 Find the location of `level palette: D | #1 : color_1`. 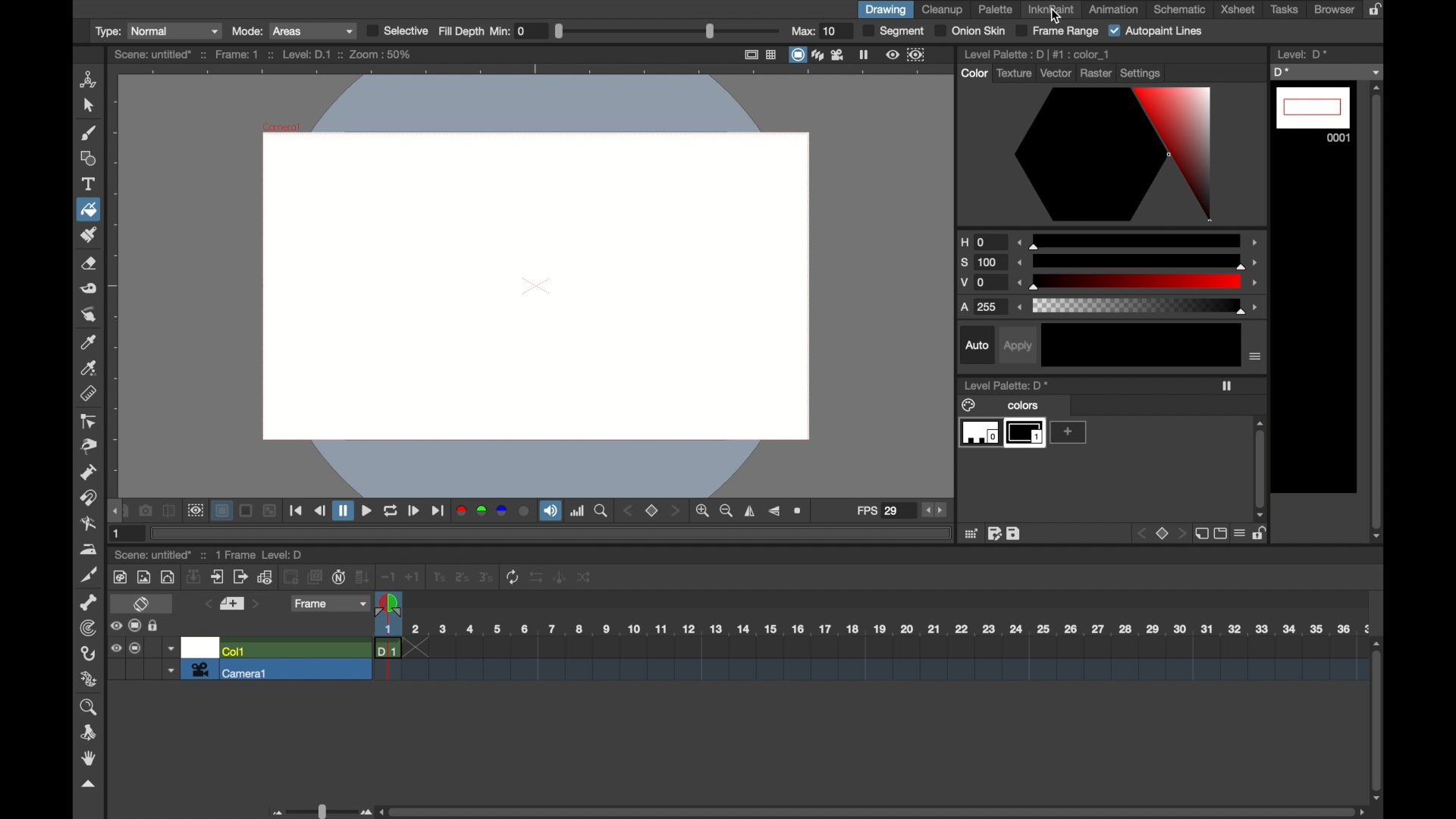

level palette: D | #1 : color_1 is located at coordinates (1036, 54).